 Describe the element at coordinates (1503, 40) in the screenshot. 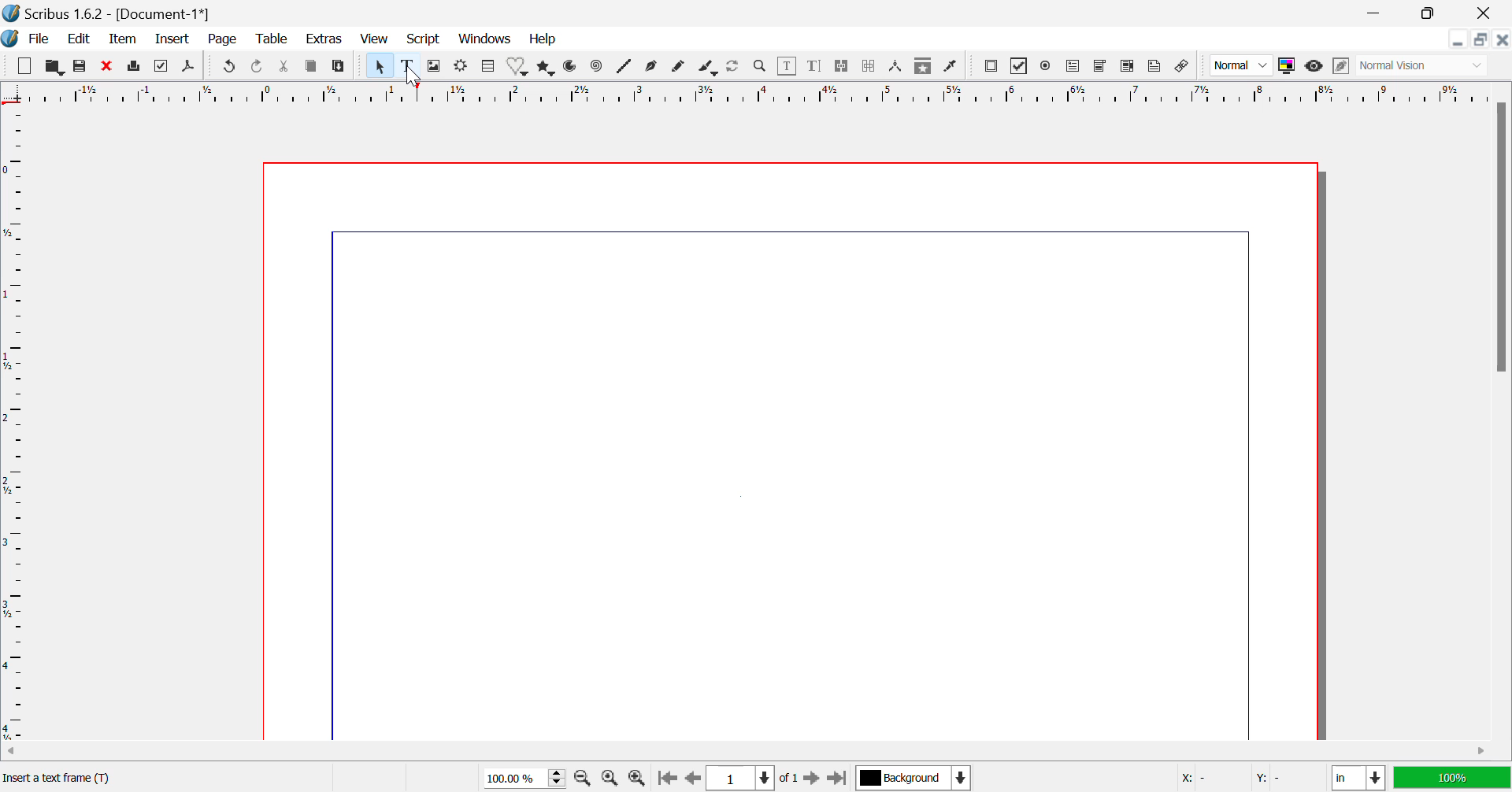

I see `Close` at that location.